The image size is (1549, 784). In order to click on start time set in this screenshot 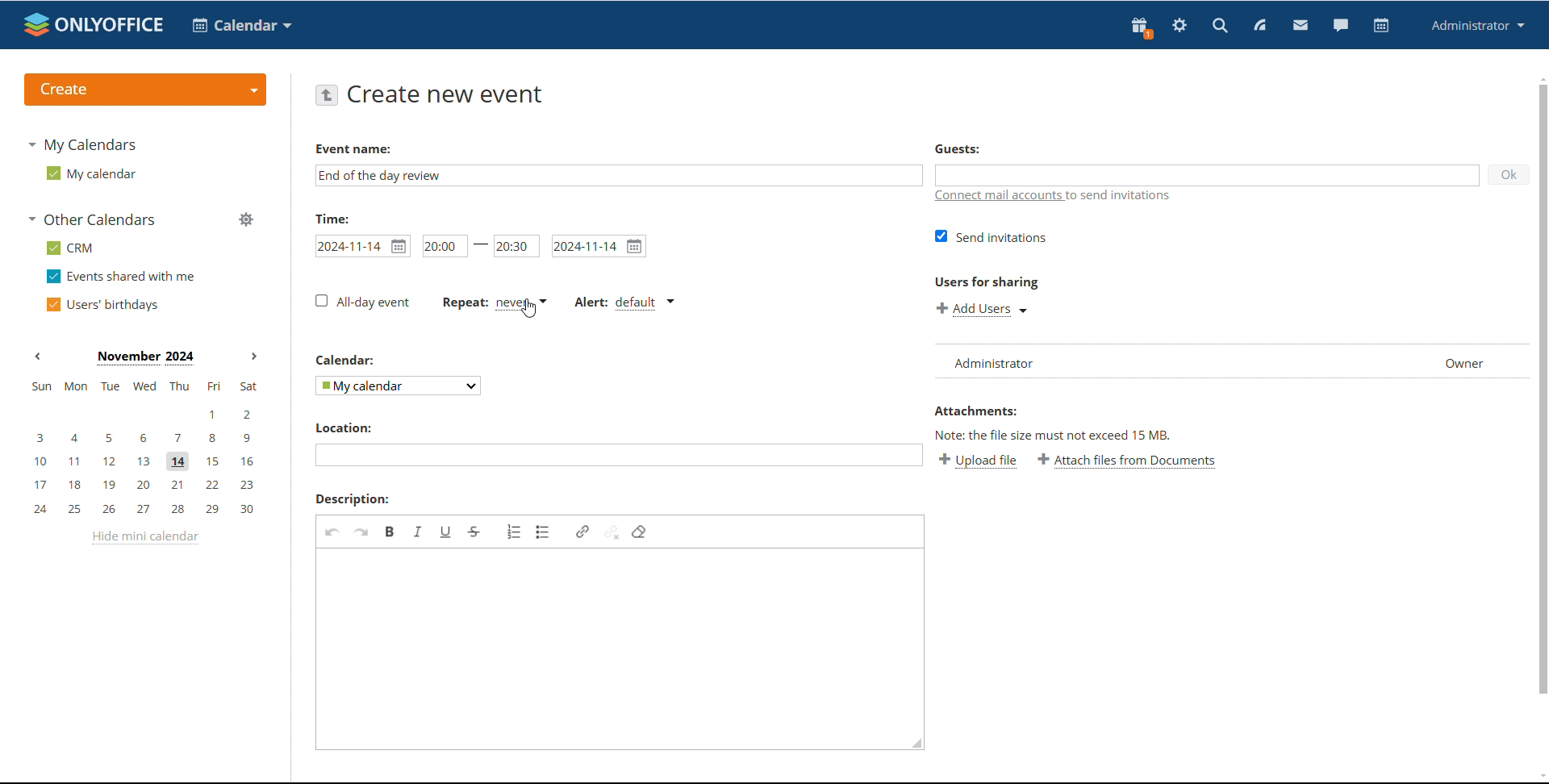, I will do `click(445, 245)`.